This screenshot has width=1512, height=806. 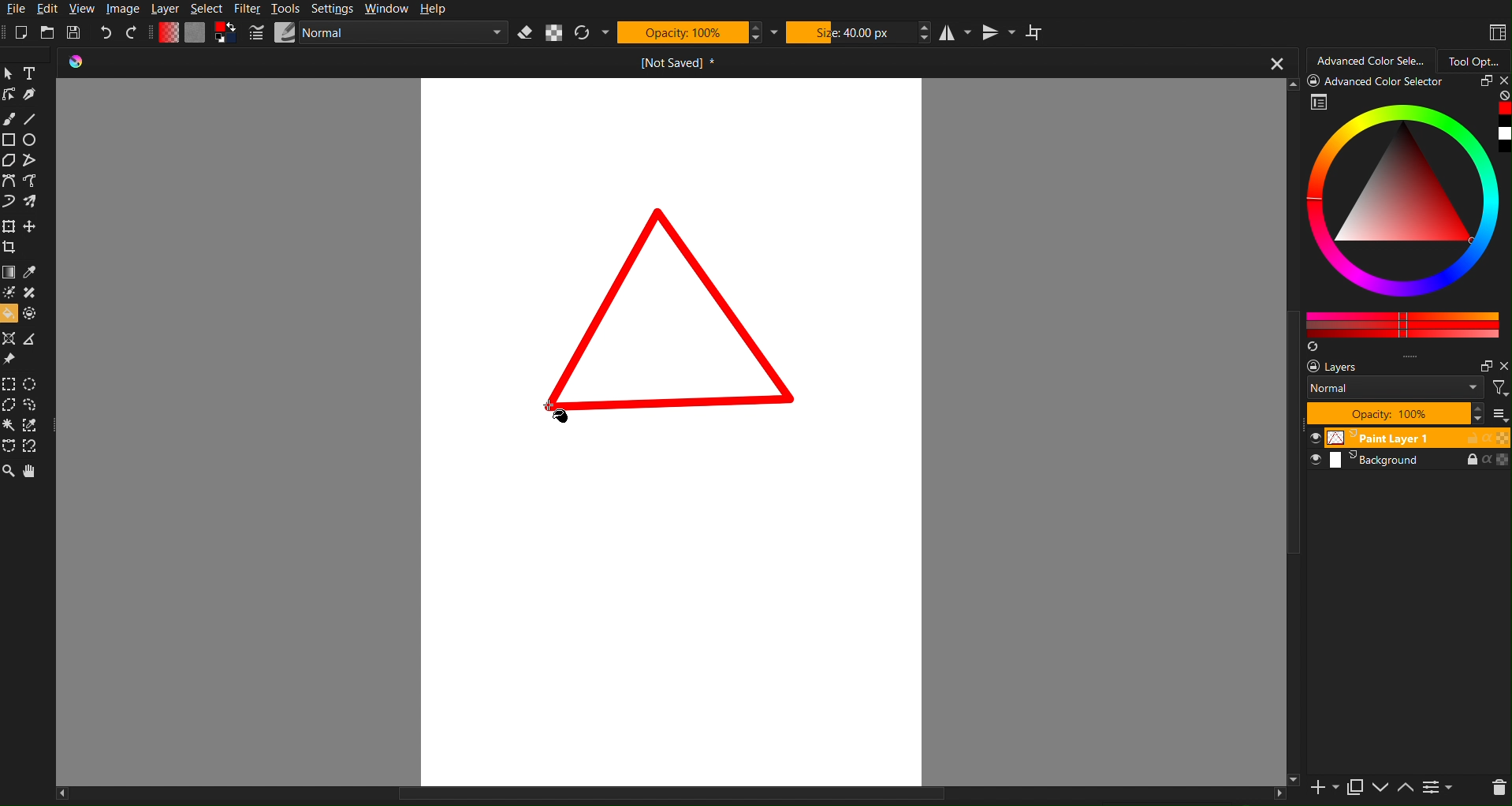 I want to click on duplicate layer or mask, so click(x=1354, y=787).